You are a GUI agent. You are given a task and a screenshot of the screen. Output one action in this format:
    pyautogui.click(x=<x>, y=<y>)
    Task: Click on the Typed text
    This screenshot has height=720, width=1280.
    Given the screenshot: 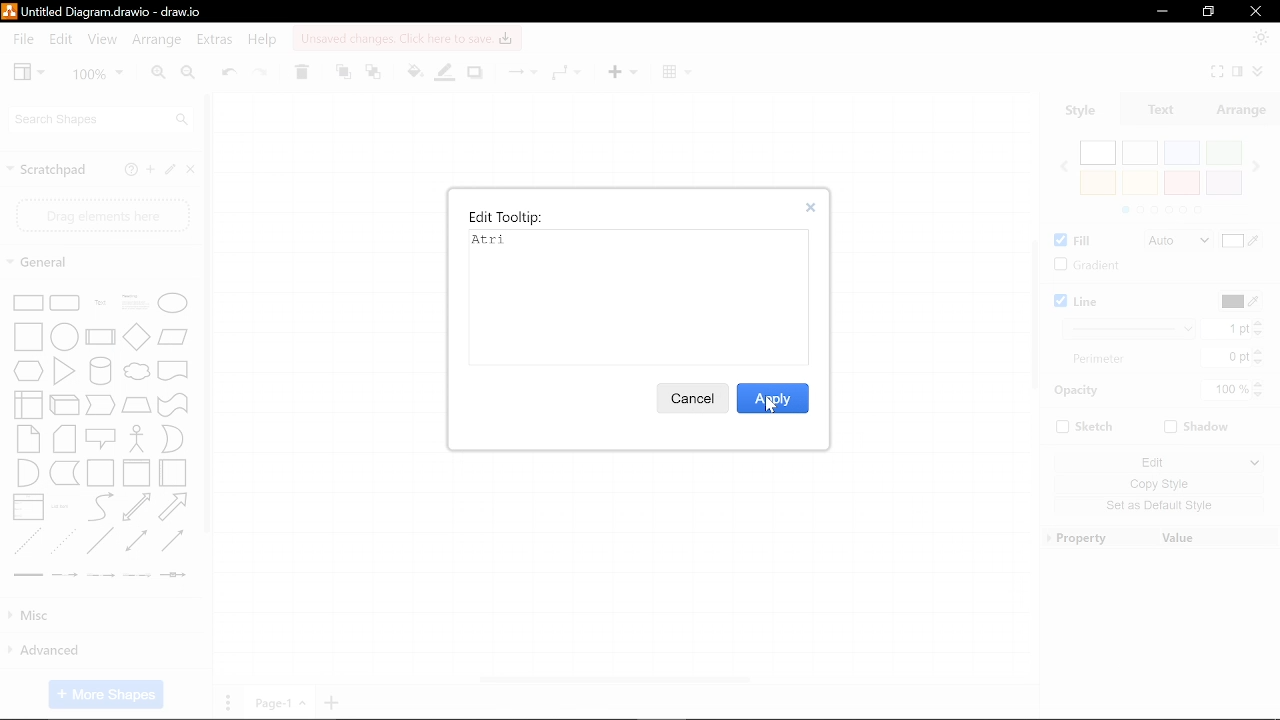 What is the action you would take?
    pyautogui.click(x=491, y=242)
    